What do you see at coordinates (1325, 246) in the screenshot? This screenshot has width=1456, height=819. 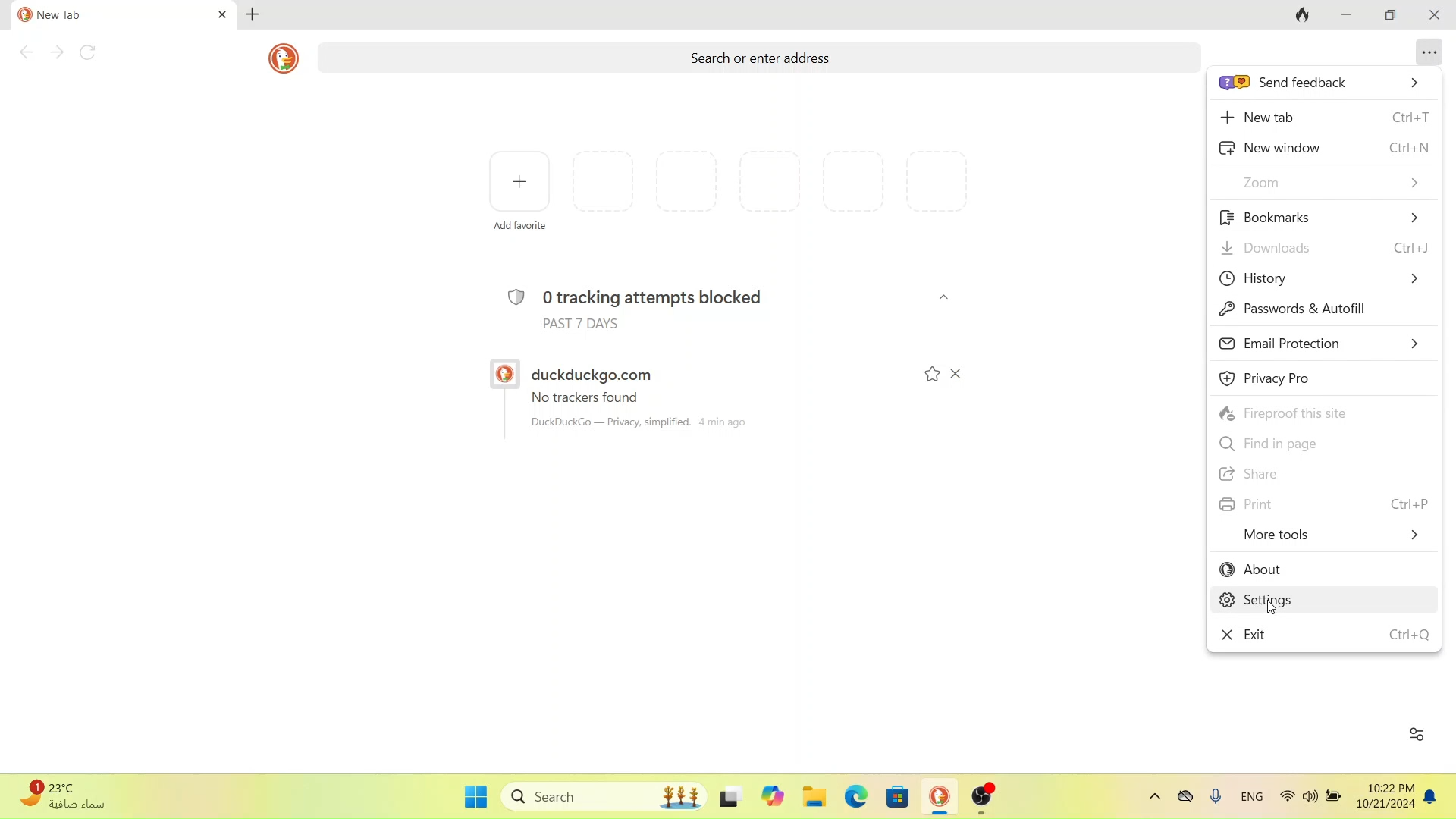 I see `download` at bounding box center [1325, 246].